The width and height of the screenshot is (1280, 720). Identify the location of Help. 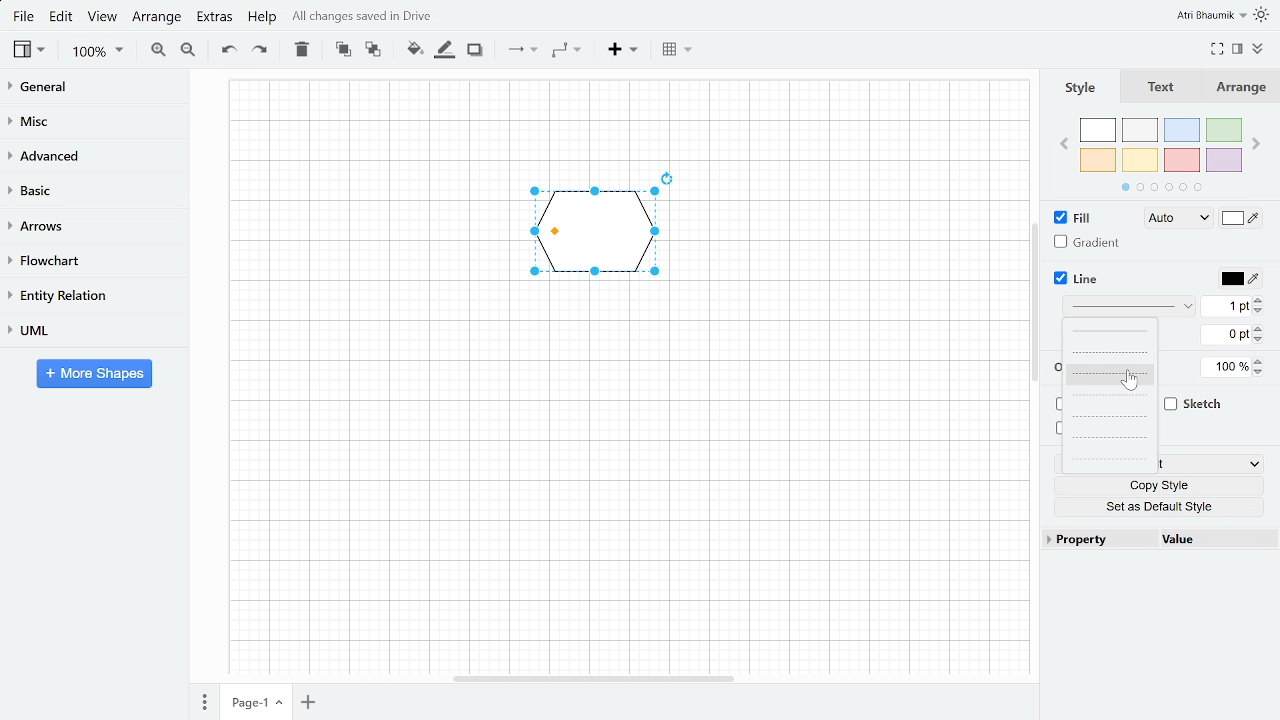
(266, 17).